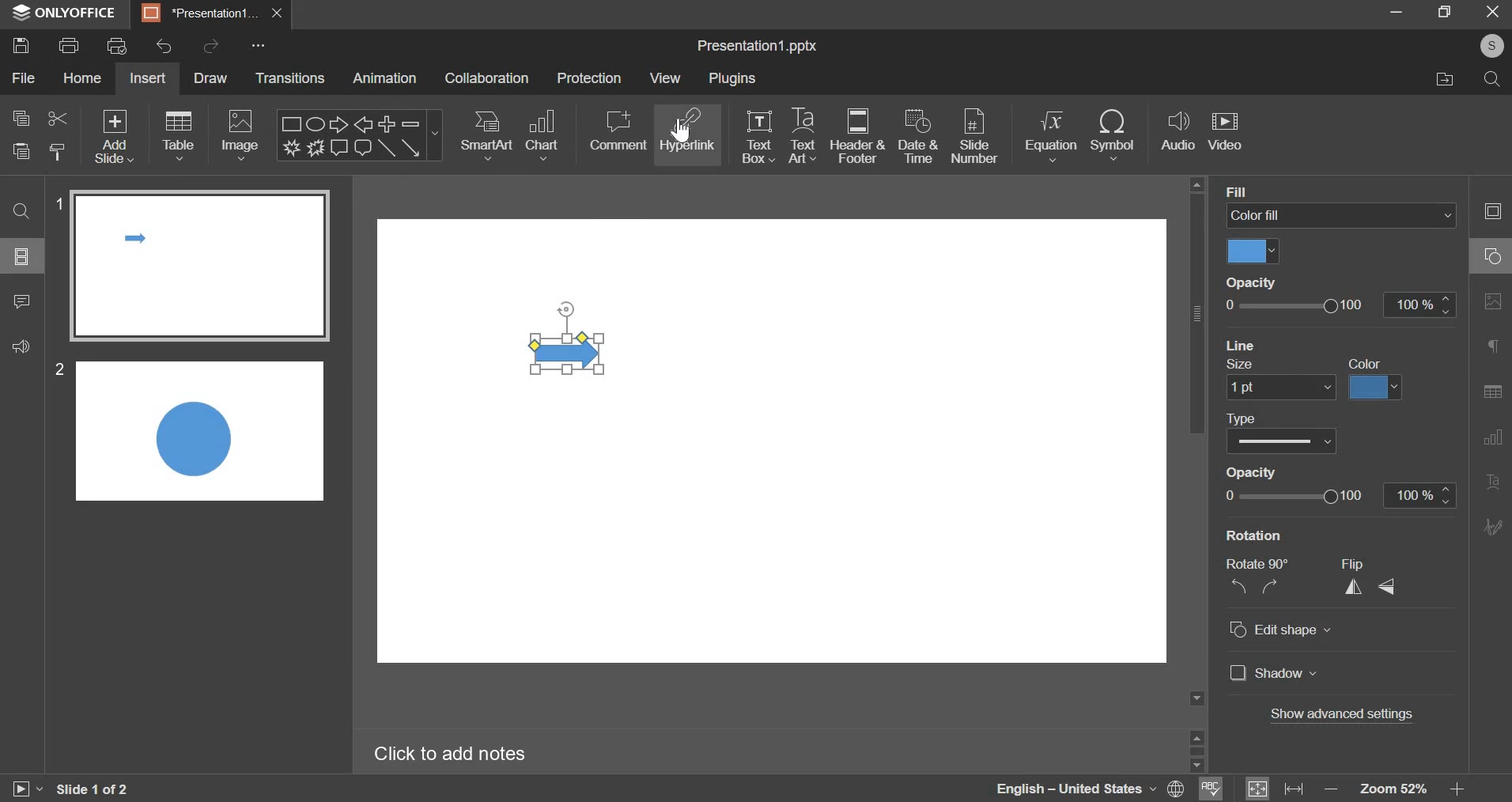  Describe the element at coordinates (178, 136) in the screenshot. I see `table` at that location.